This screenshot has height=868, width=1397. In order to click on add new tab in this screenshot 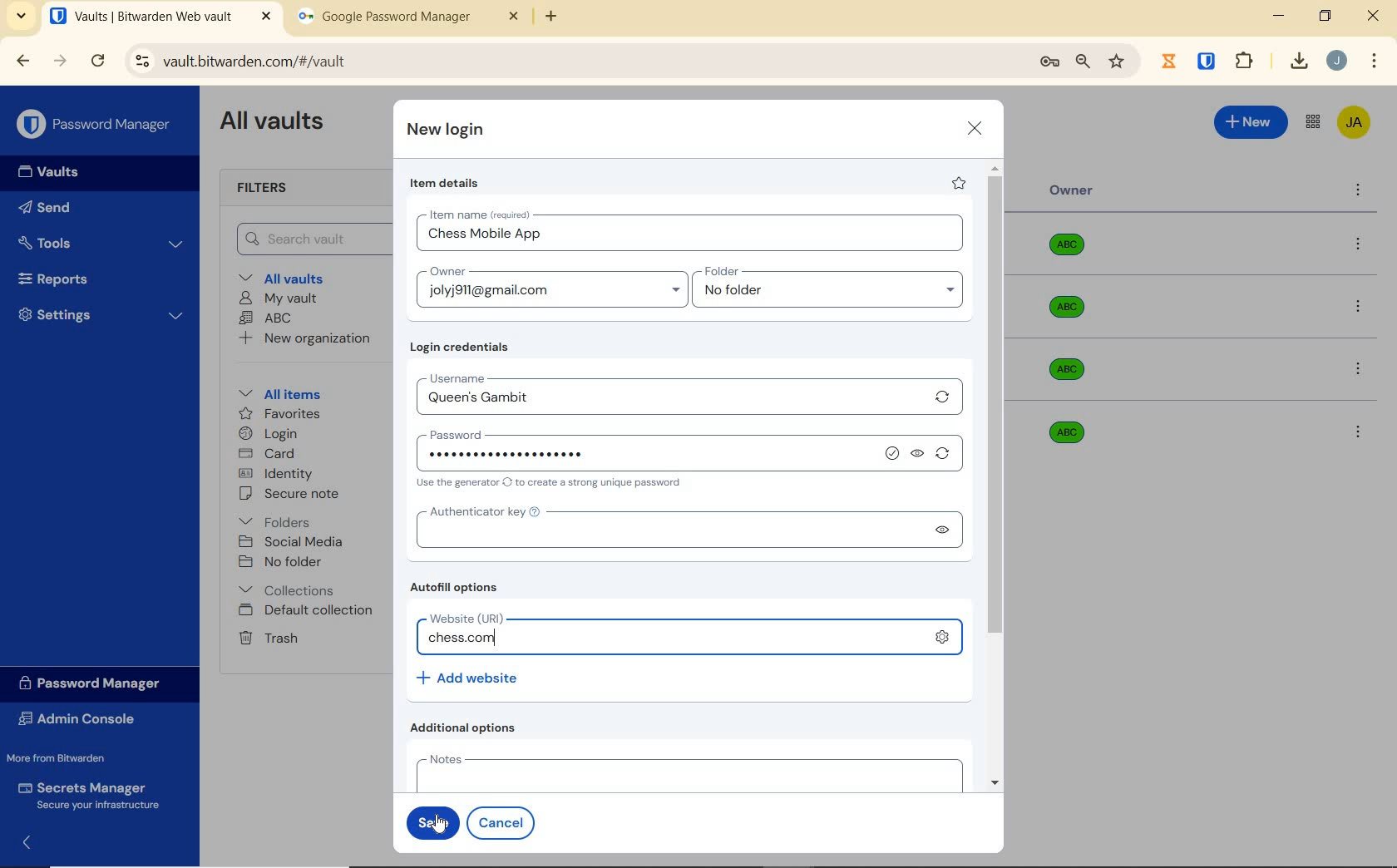, I will do `click(564, 21)`.